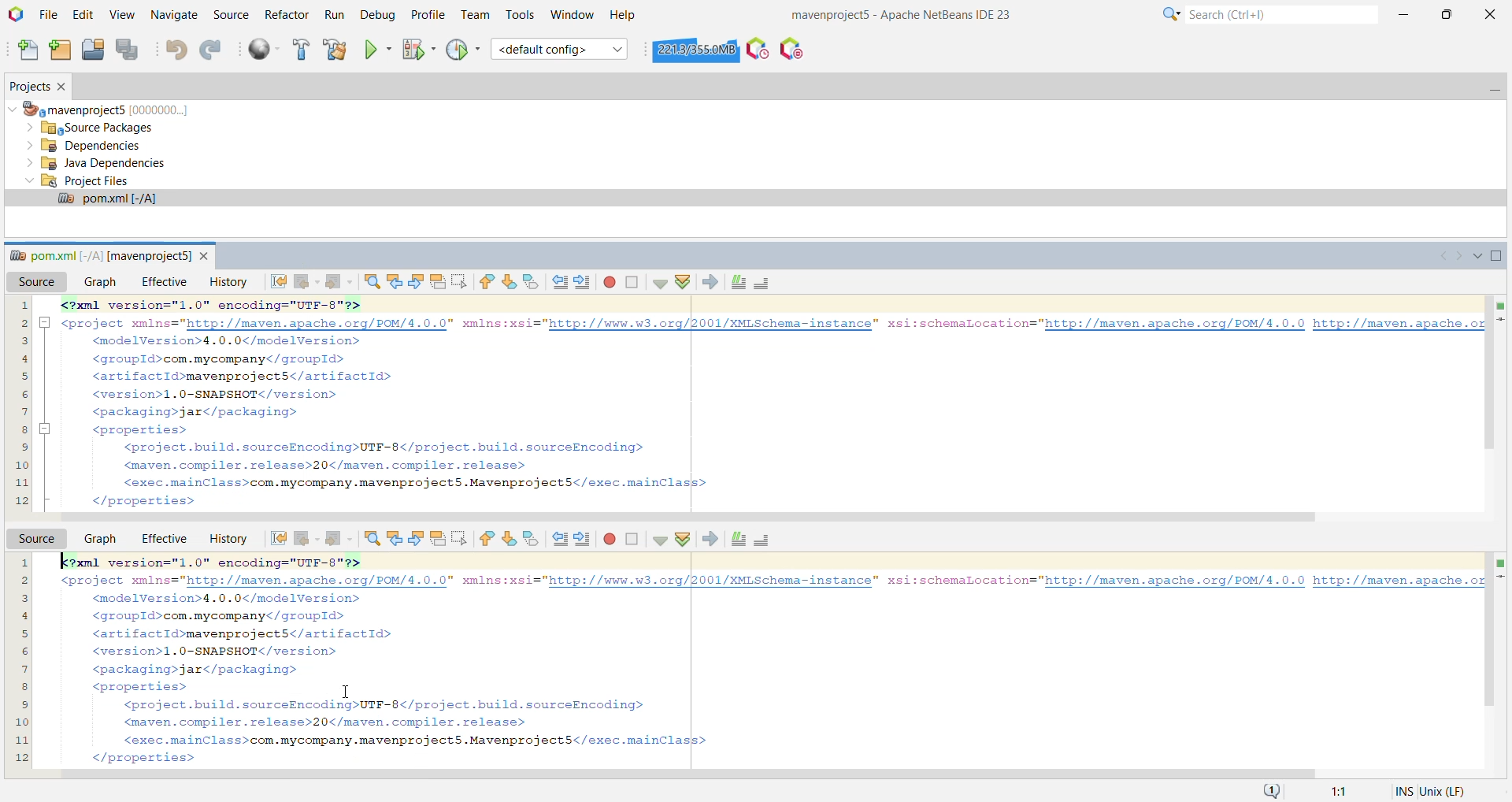 This screenshot has height=802, width=1512. I want to click on <version>1.0-SNAPSHOT</version>, so click(219, 394).